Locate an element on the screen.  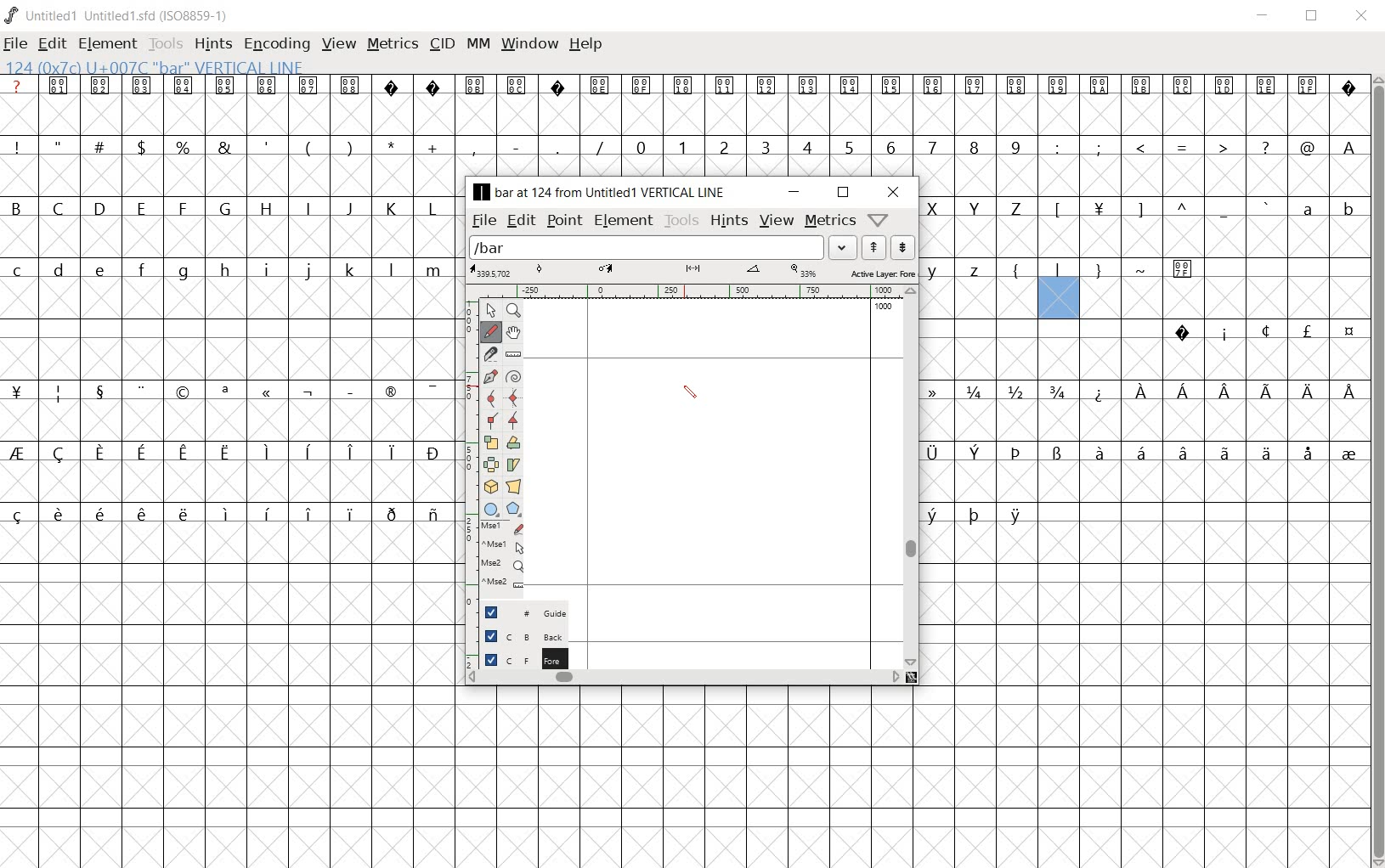
empty cells is located at coordinates (1145, 603).